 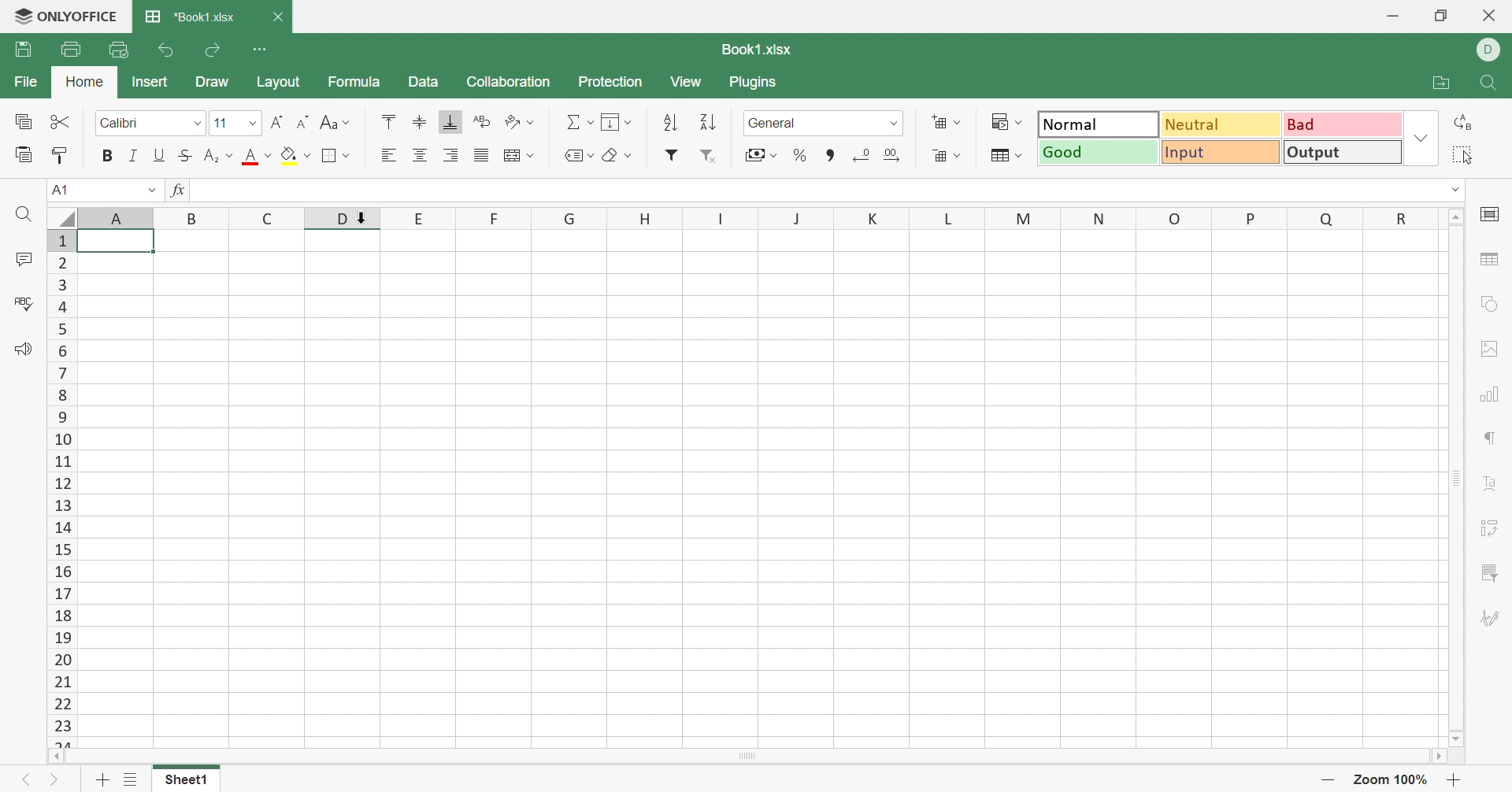 I want to click on Feedback & Support, so click(x=27, y=349).